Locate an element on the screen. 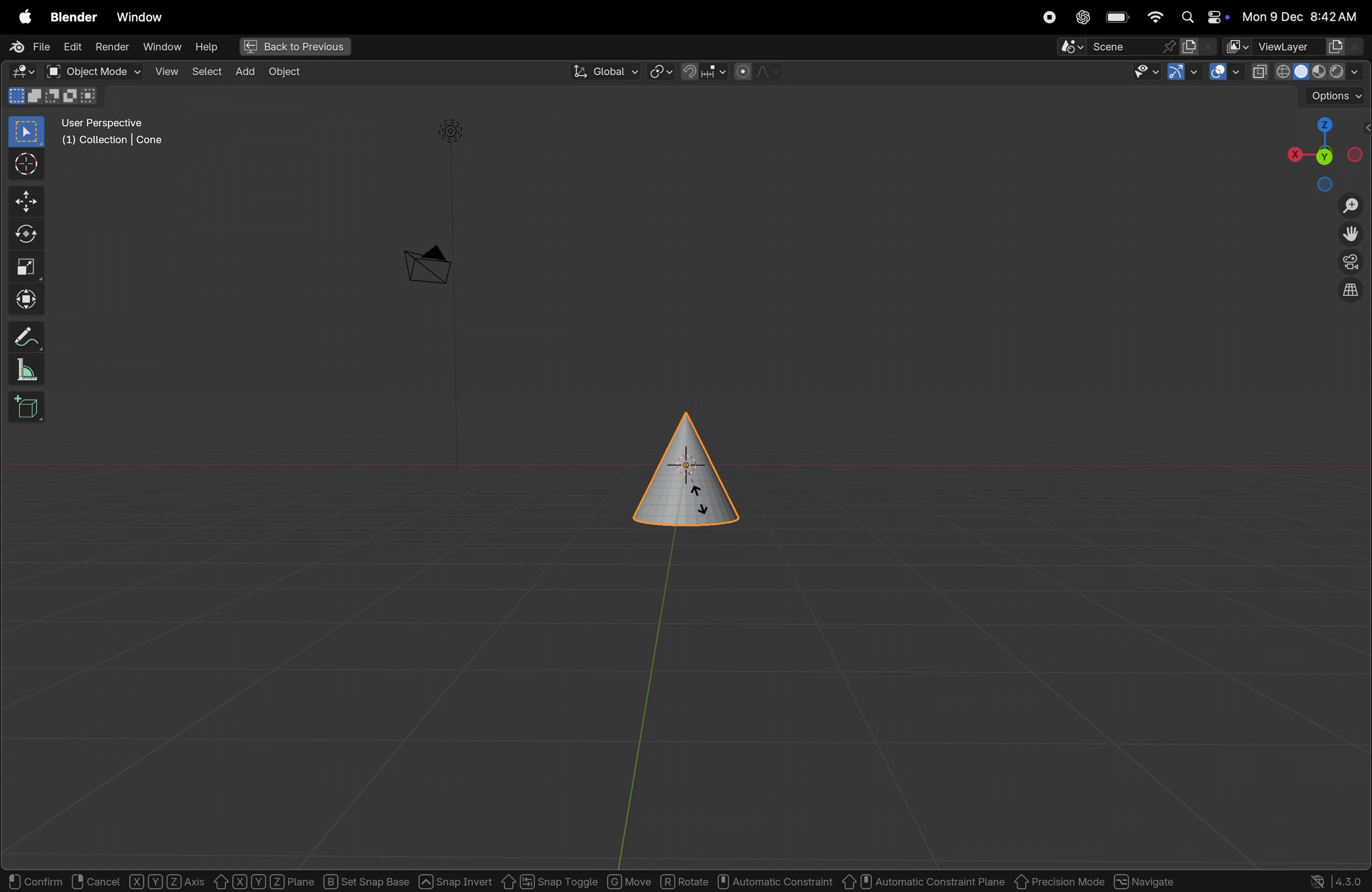  window is located at coordinates (163, 48).